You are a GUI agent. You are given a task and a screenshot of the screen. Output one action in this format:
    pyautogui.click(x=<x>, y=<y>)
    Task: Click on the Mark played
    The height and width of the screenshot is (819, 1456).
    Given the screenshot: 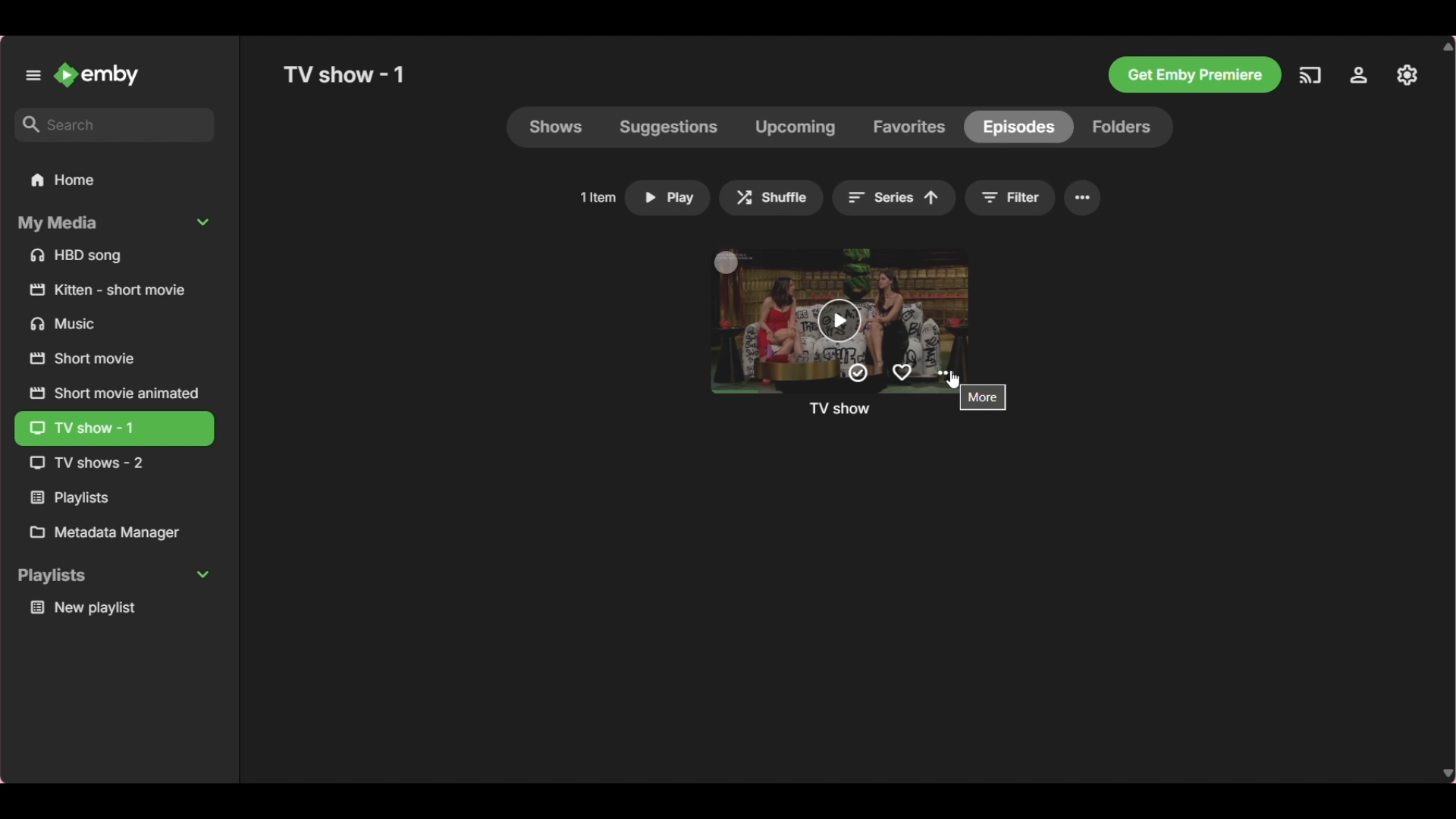 What is the action you would take?
    pyautogui.click(x=858, y=373)
    